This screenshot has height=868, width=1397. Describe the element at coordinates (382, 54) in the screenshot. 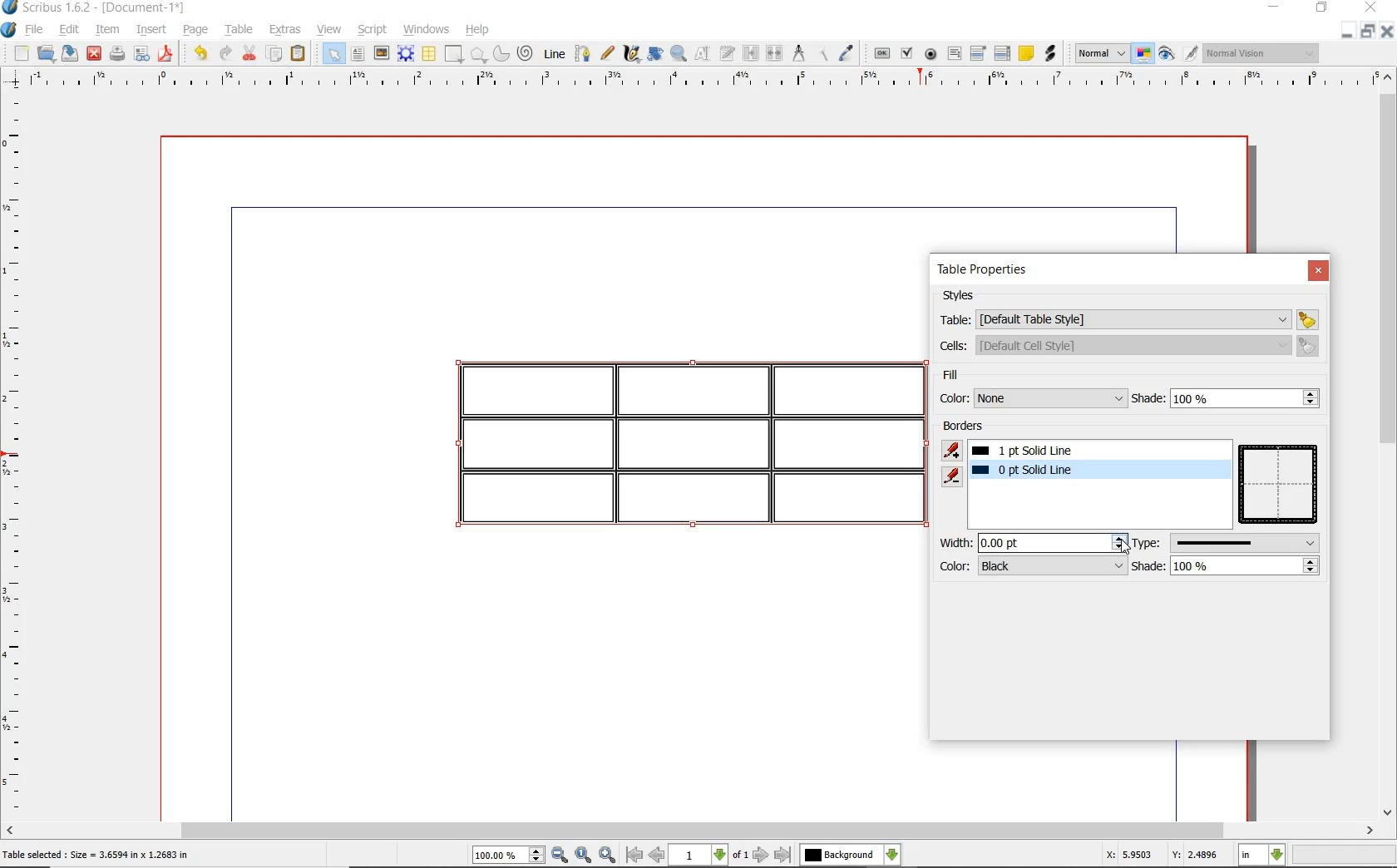

I see `image frame` at that location.